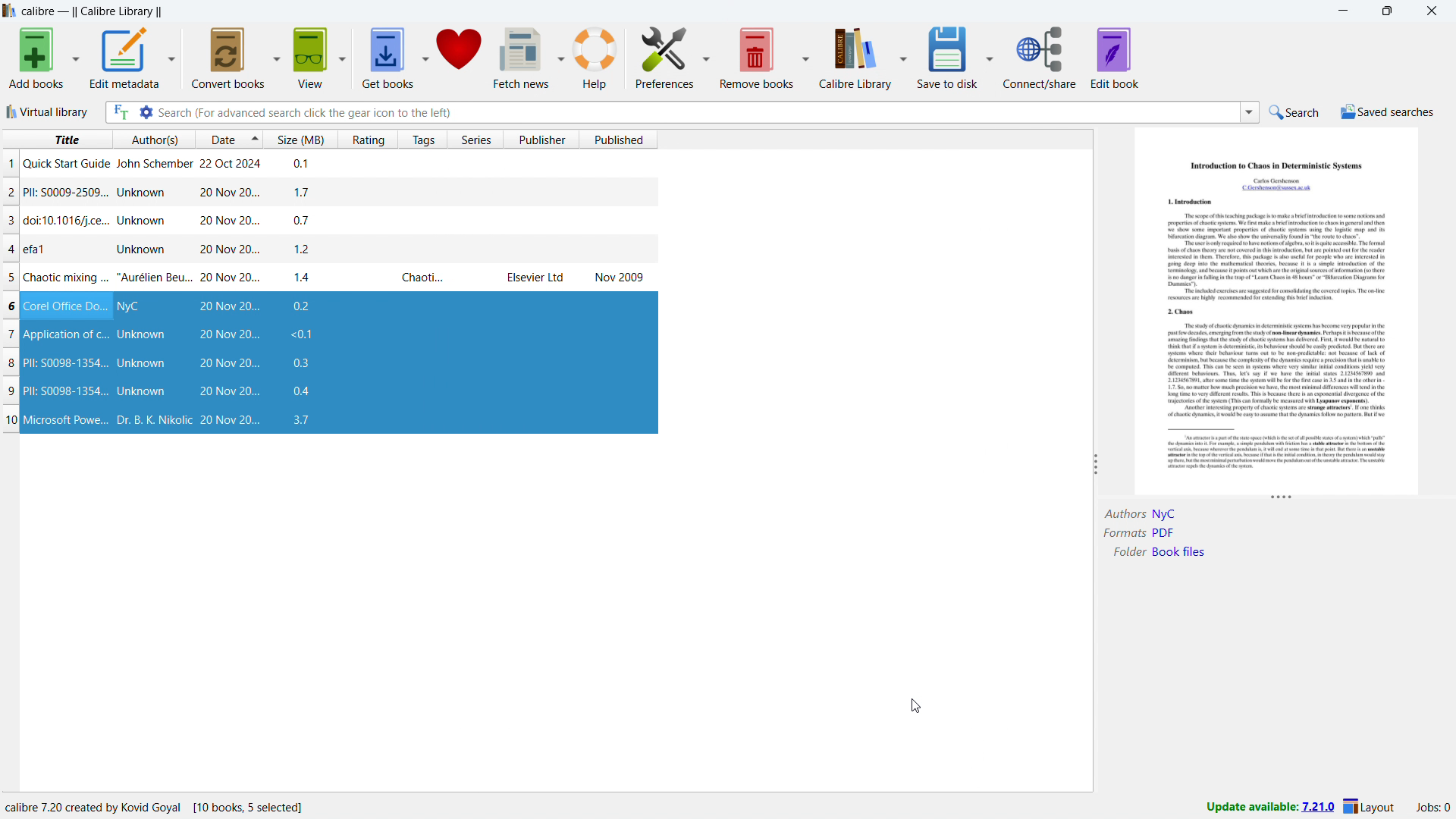 The height and width of the screenshot is (819, 1456). Describe the element at coordinates (93, 11) in the screenshot. I see `title` at that location.